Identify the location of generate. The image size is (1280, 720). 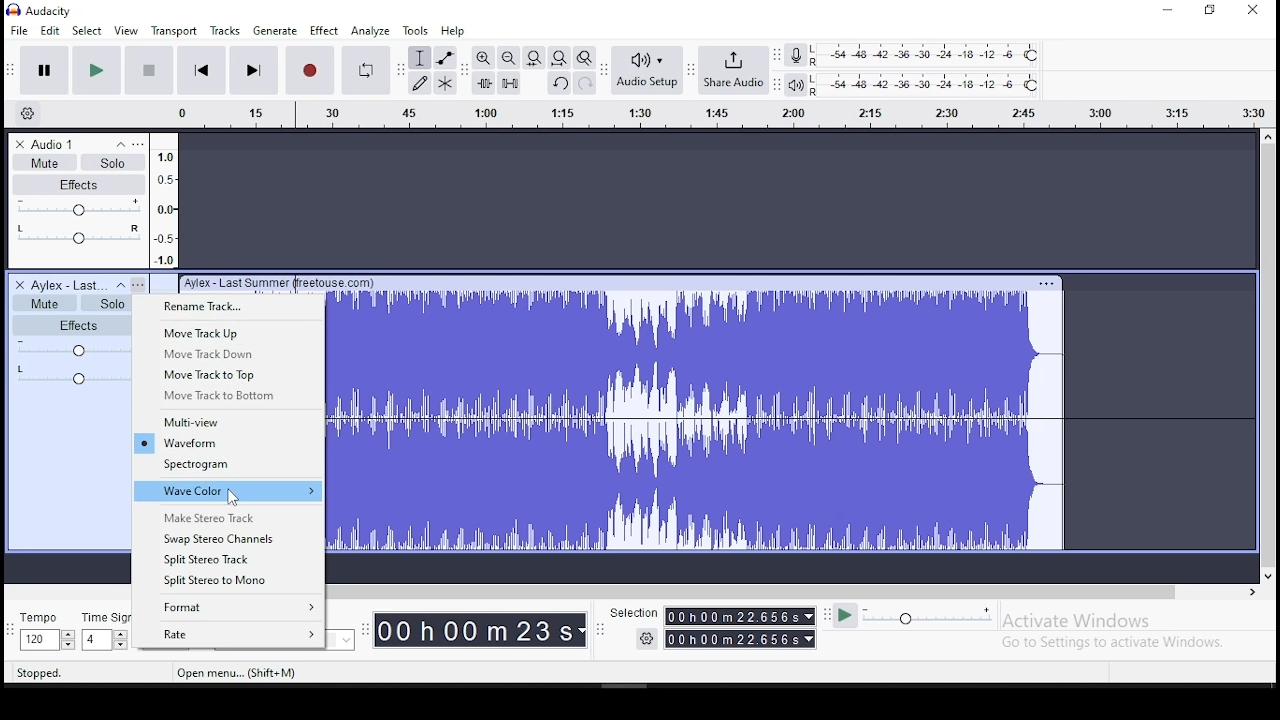
(277, 29).